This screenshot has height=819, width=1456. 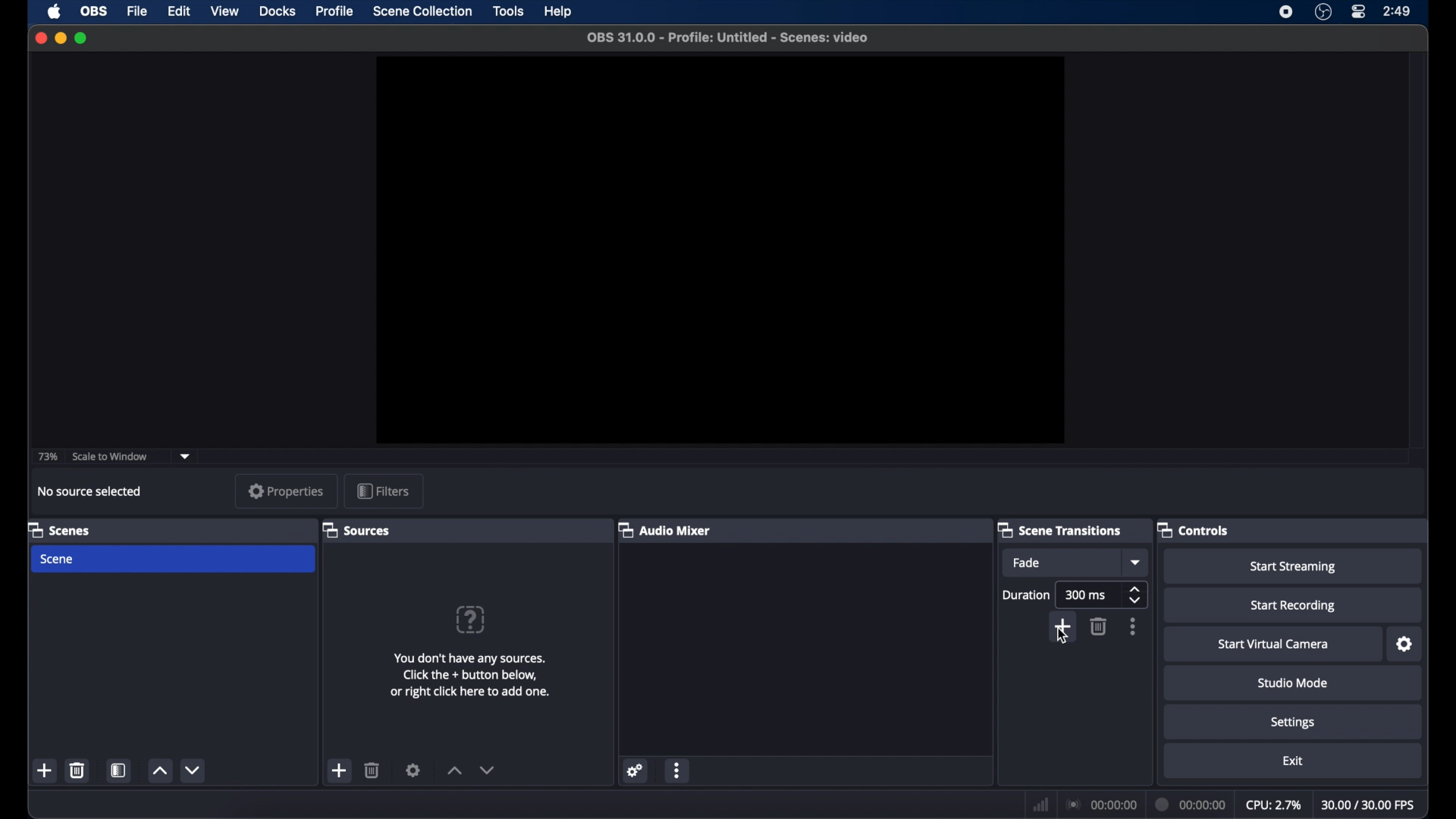 What do you see at coordinates (1086, 595) in the screenshot?
I see `300 ms` at bounding box center [1086, 595].